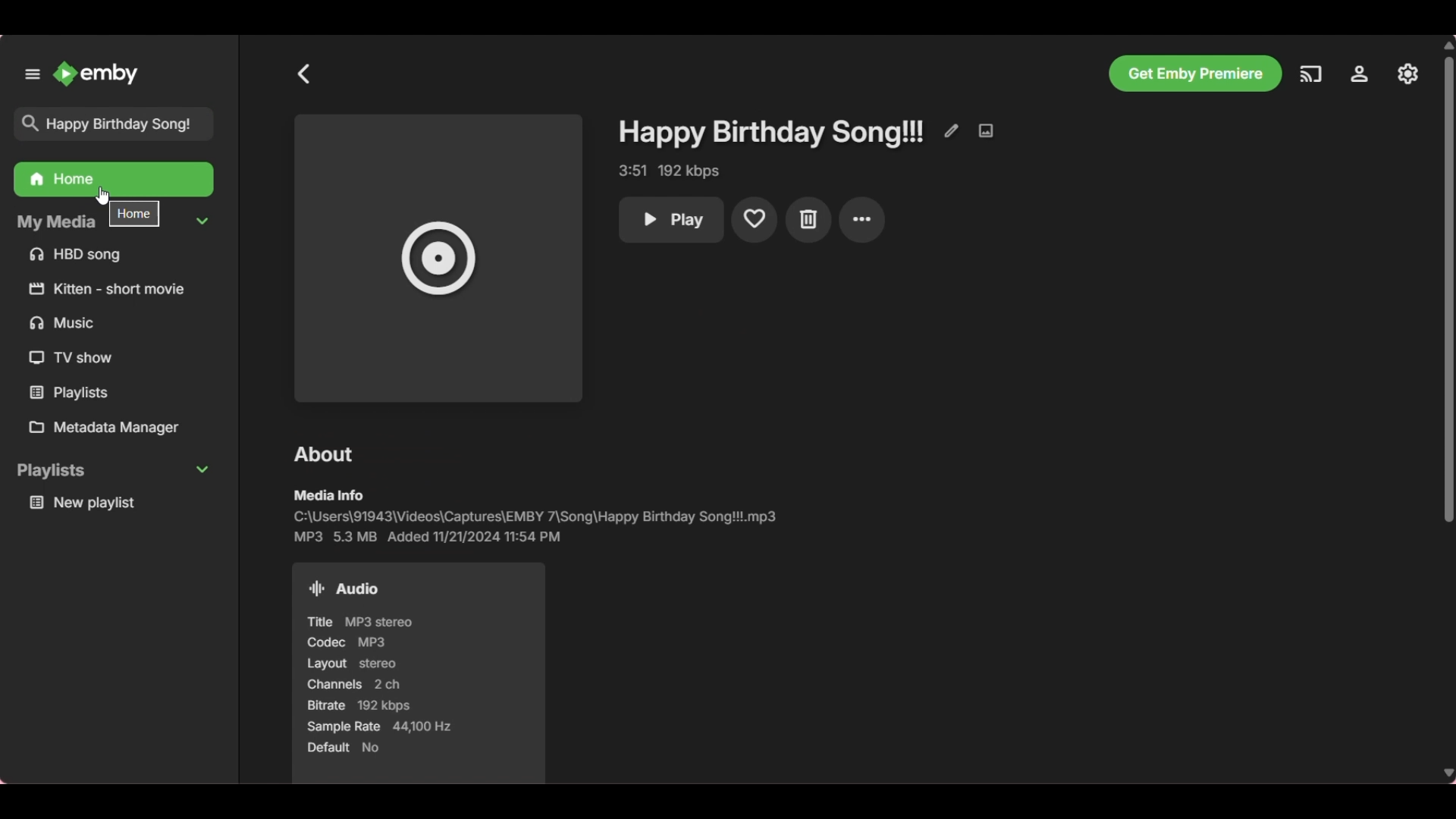 This screenshot has width=1456, height=819. Describe the element at coordinates (117, 428) in the screenshot. I see `Metadata manager` at that location.